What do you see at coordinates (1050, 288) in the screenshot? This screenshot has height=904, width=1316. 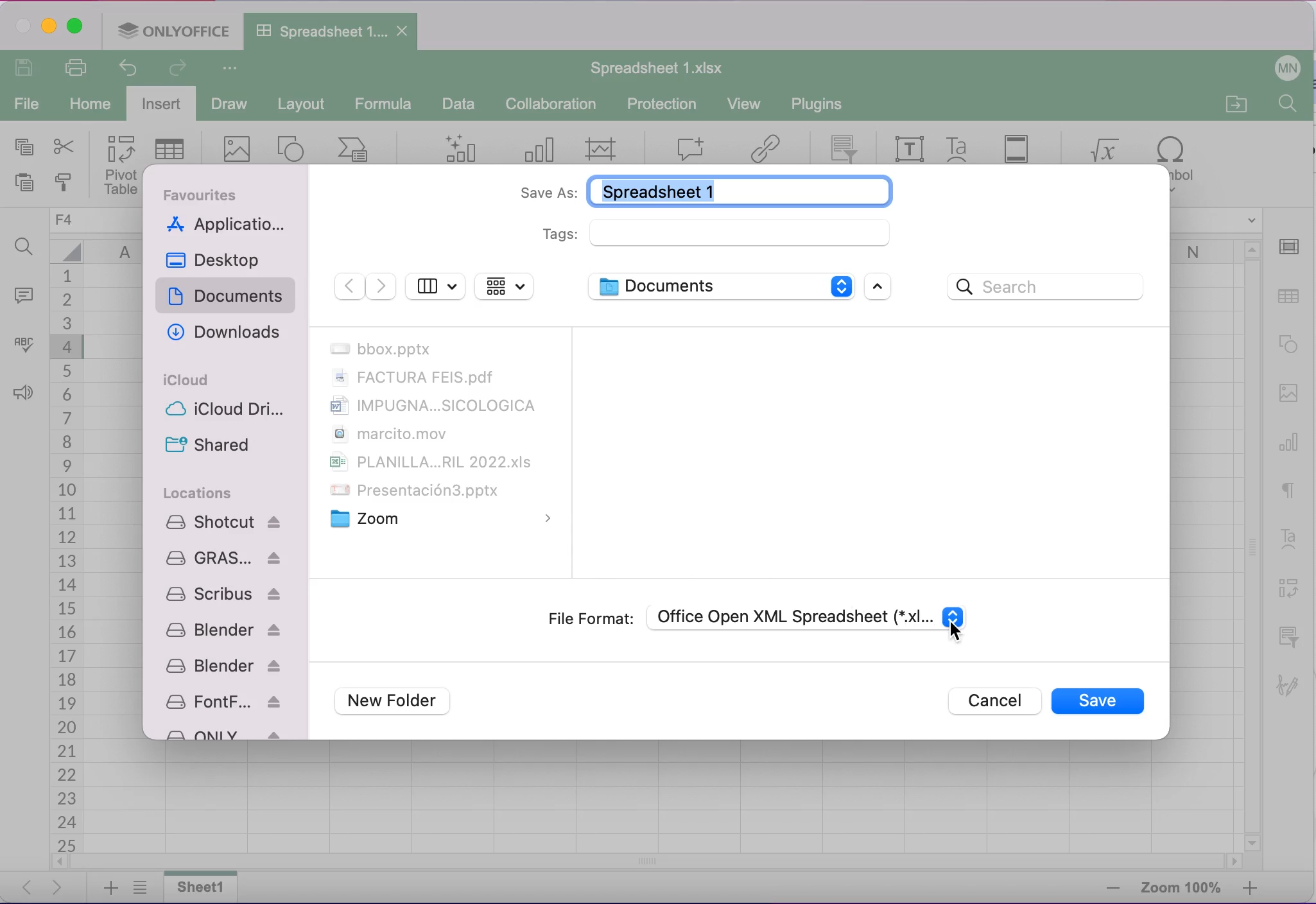 I see `search` at bounding box center [1050, 288].